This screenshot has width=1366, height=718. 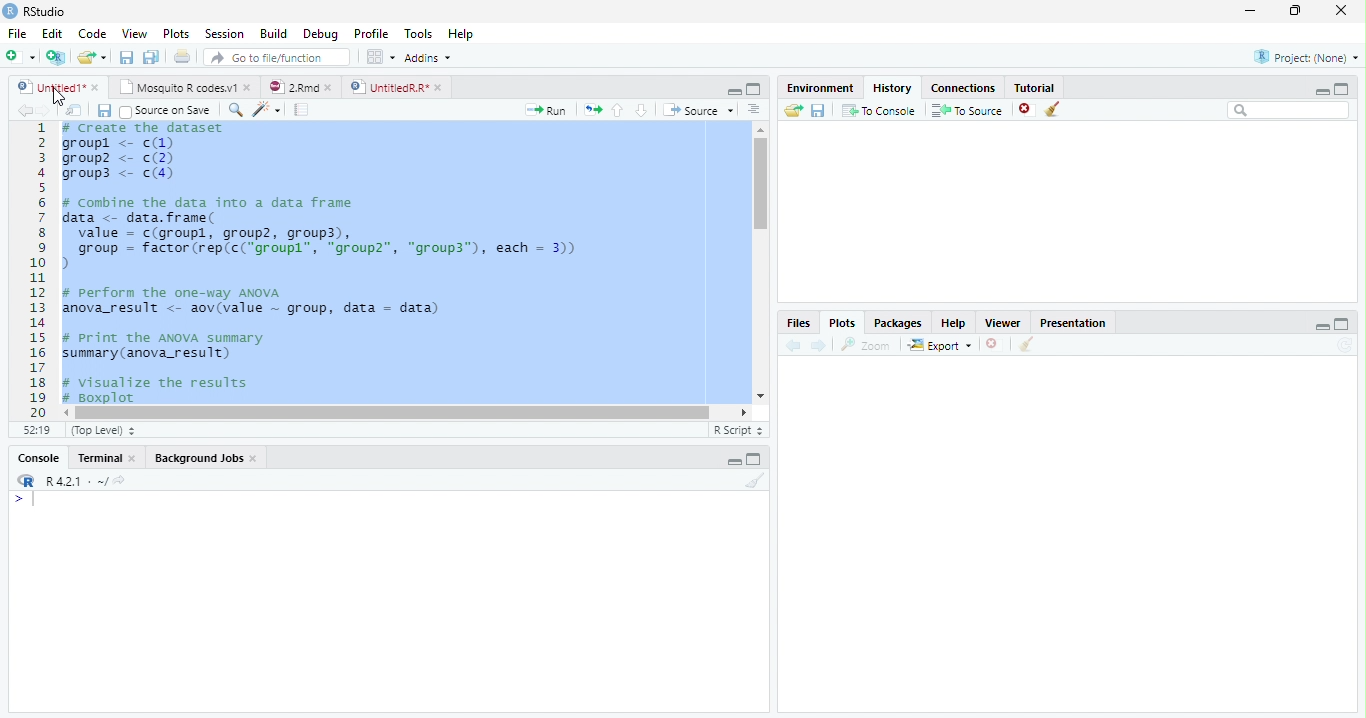 What do you see at coordinates (420, 33) in the screenshot?
I see `Tools` at bounding box center [420, 33].